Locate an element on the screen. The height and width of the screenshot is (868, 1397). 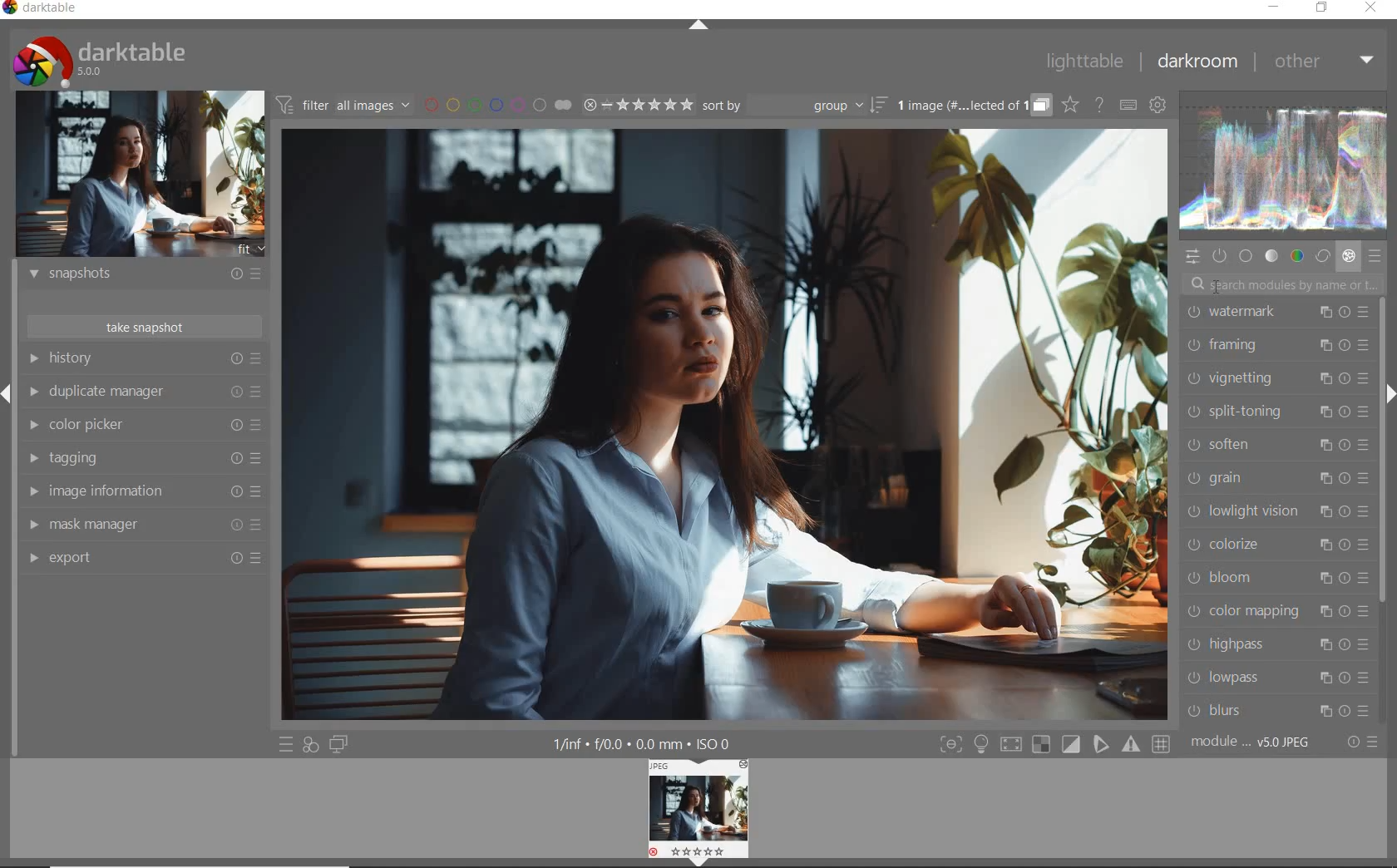
color mapping is located at coordinates (1277, 611).